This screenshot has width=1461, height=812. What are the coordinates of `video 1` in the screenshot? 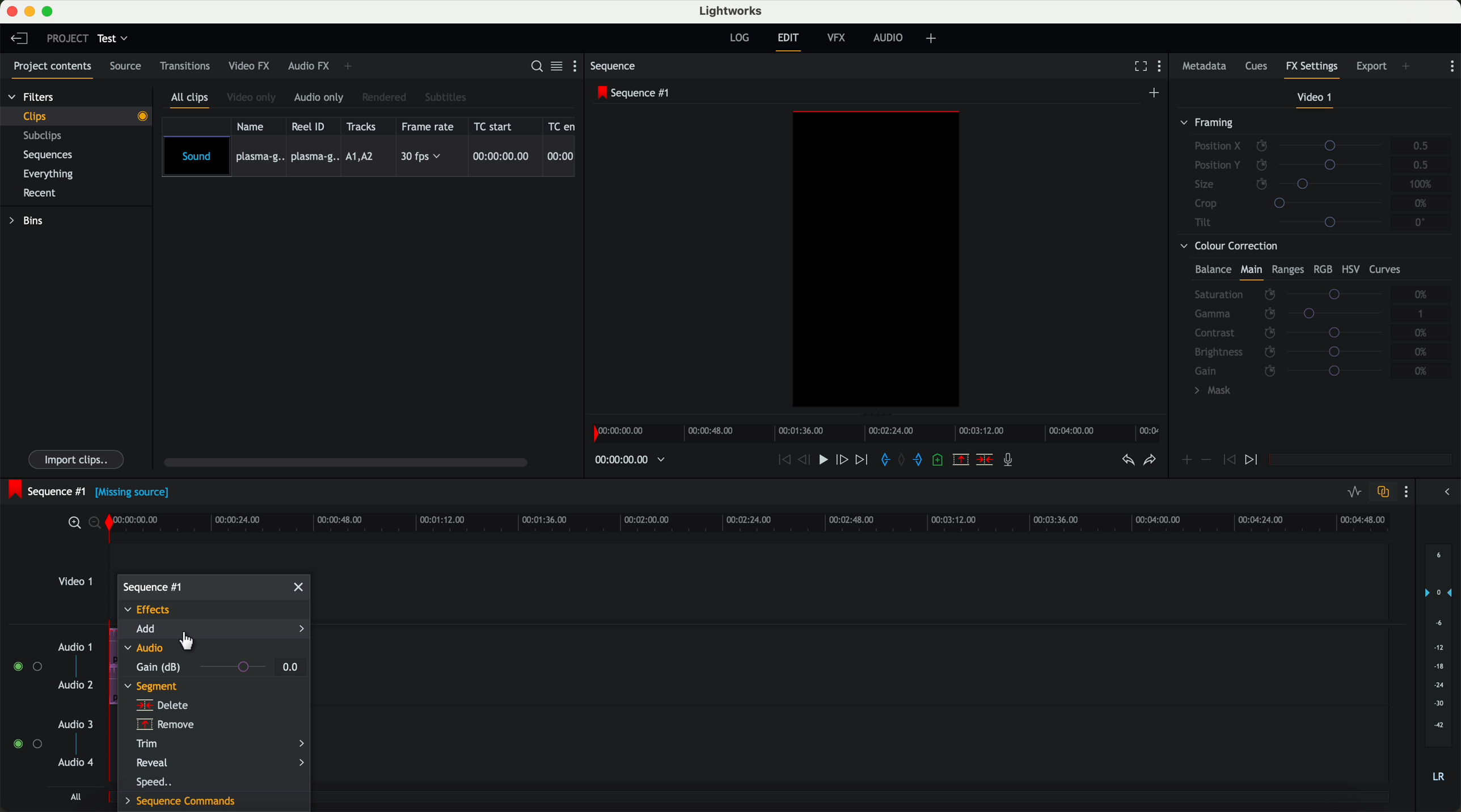 It's located at (1314, 98).